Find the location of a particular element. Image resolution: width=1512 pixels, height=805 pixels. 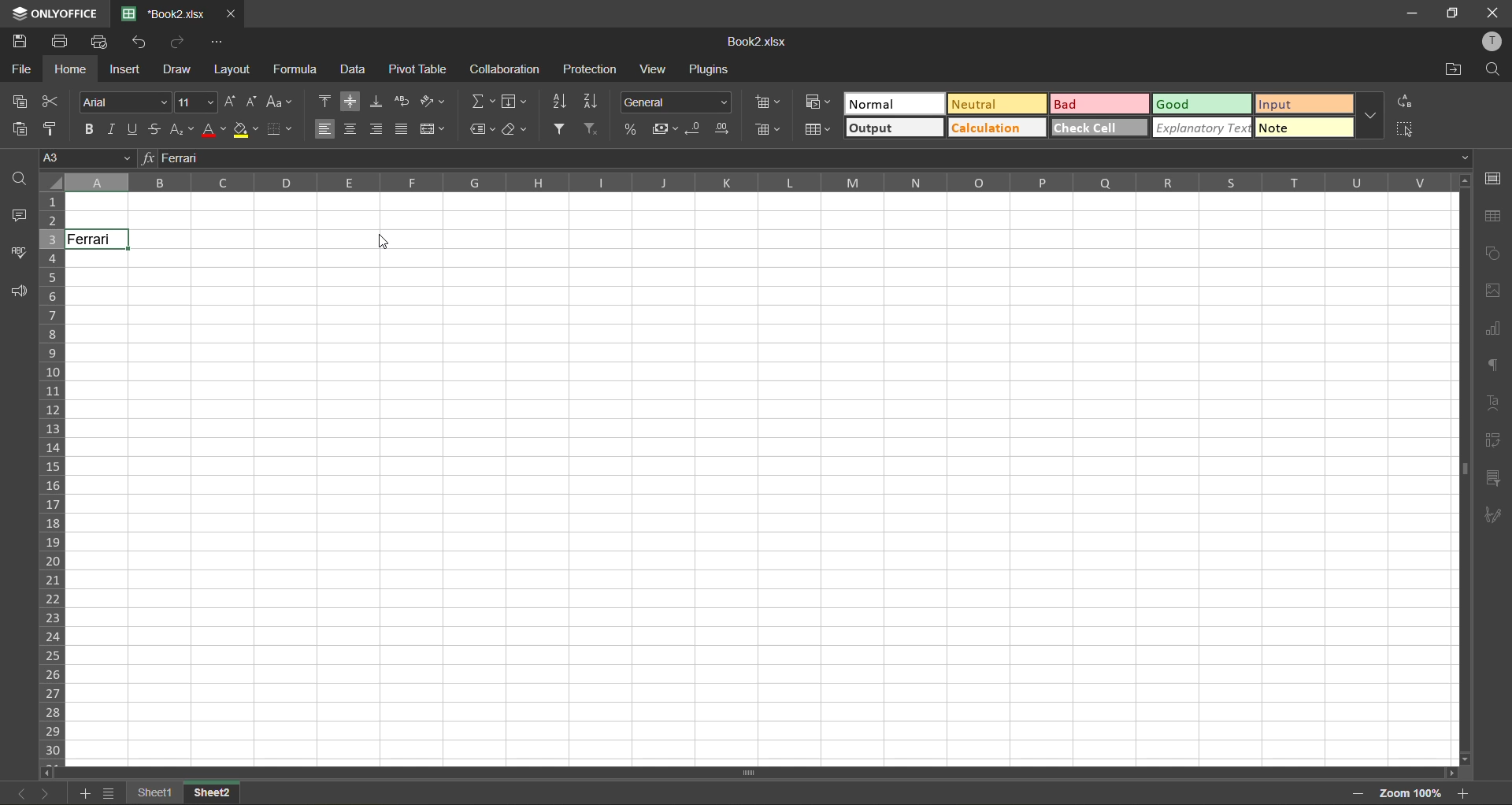

protection is located at coordinates (591, 71).